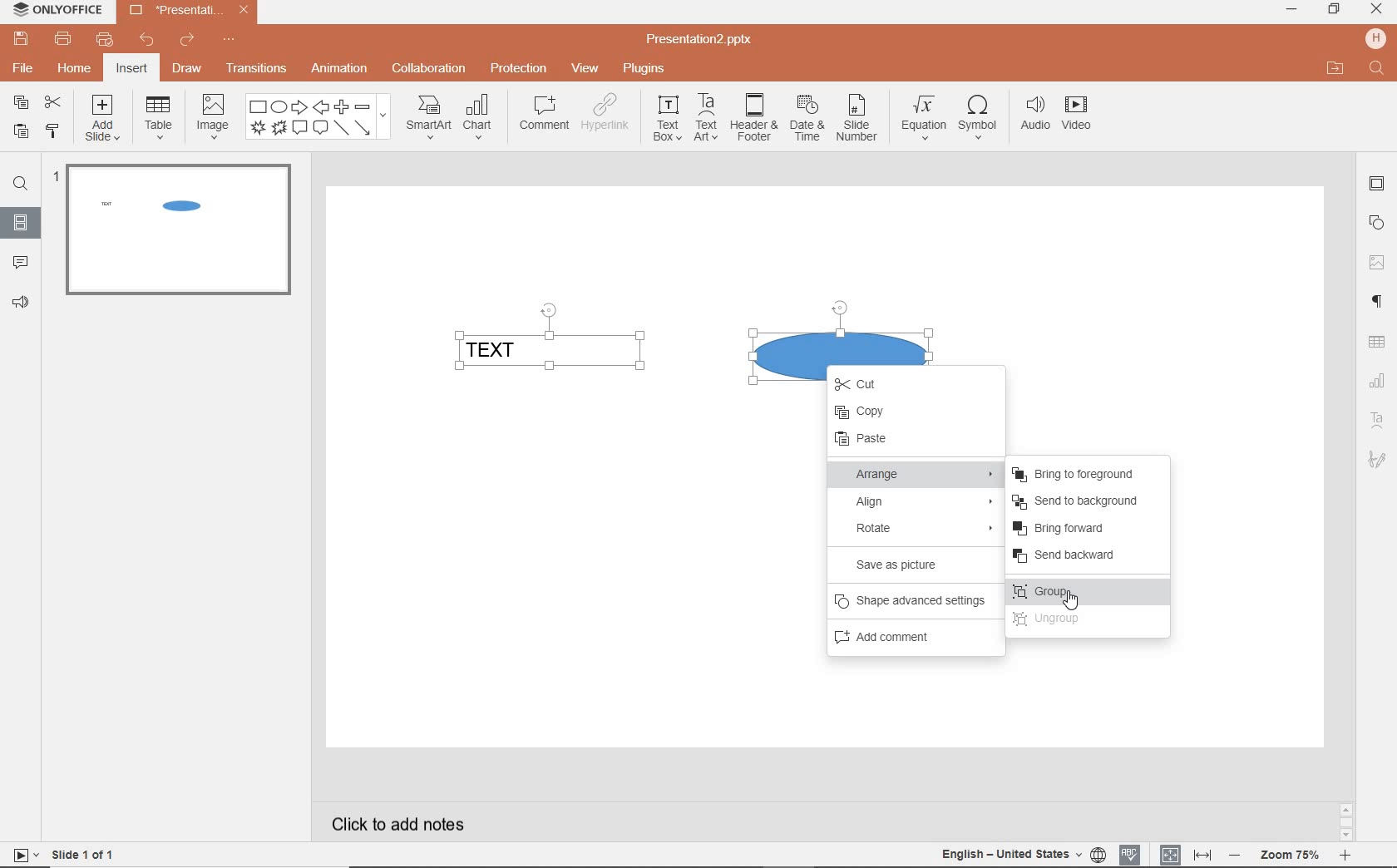  What do you see at coordinates (911, 600) in the screenshot?
I see `SHAPE ADVANCED SETTINGS` at bounding box center [911, 600].